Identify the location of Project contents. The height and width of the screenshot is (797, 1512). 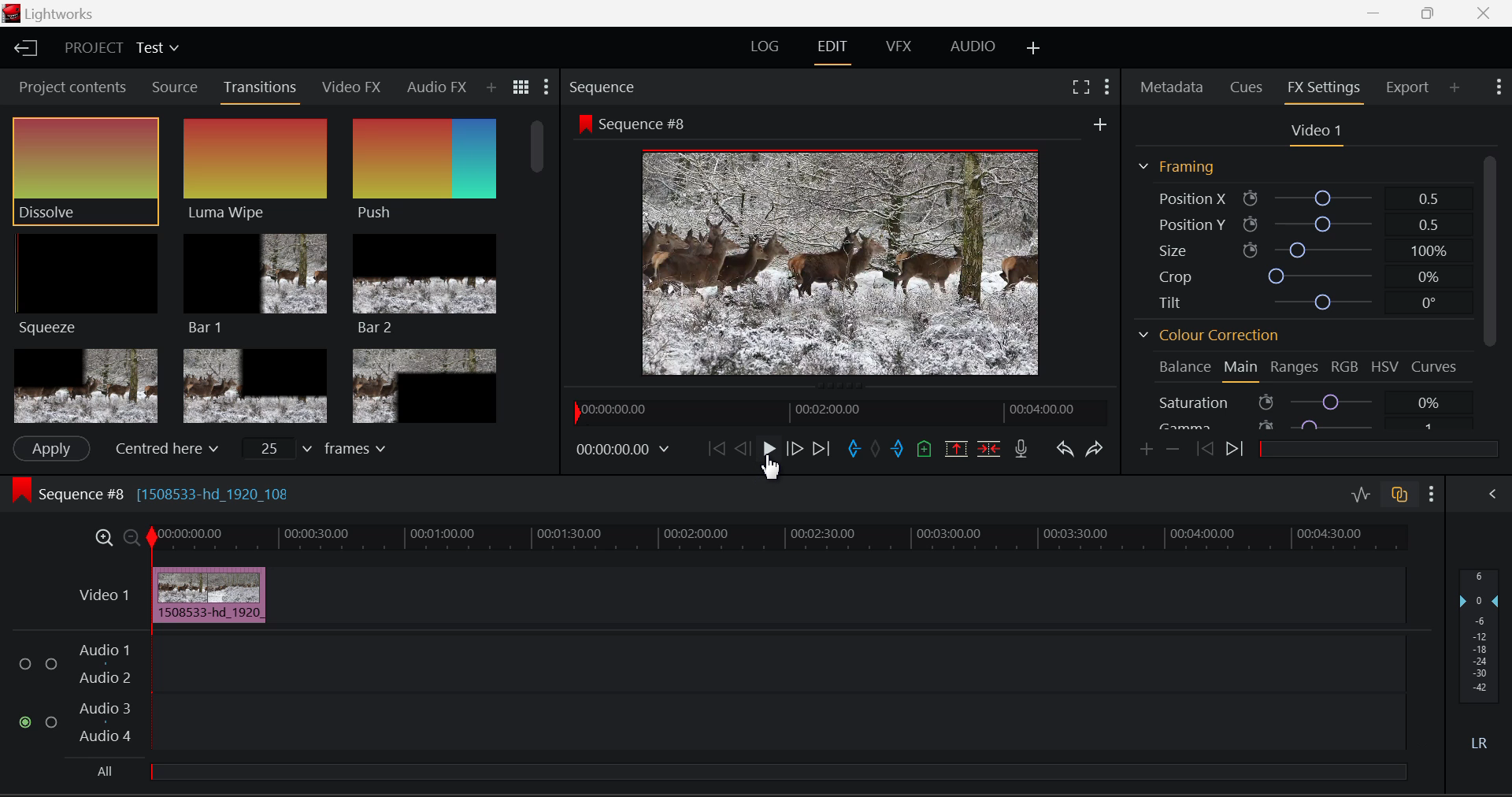
(70, 86).